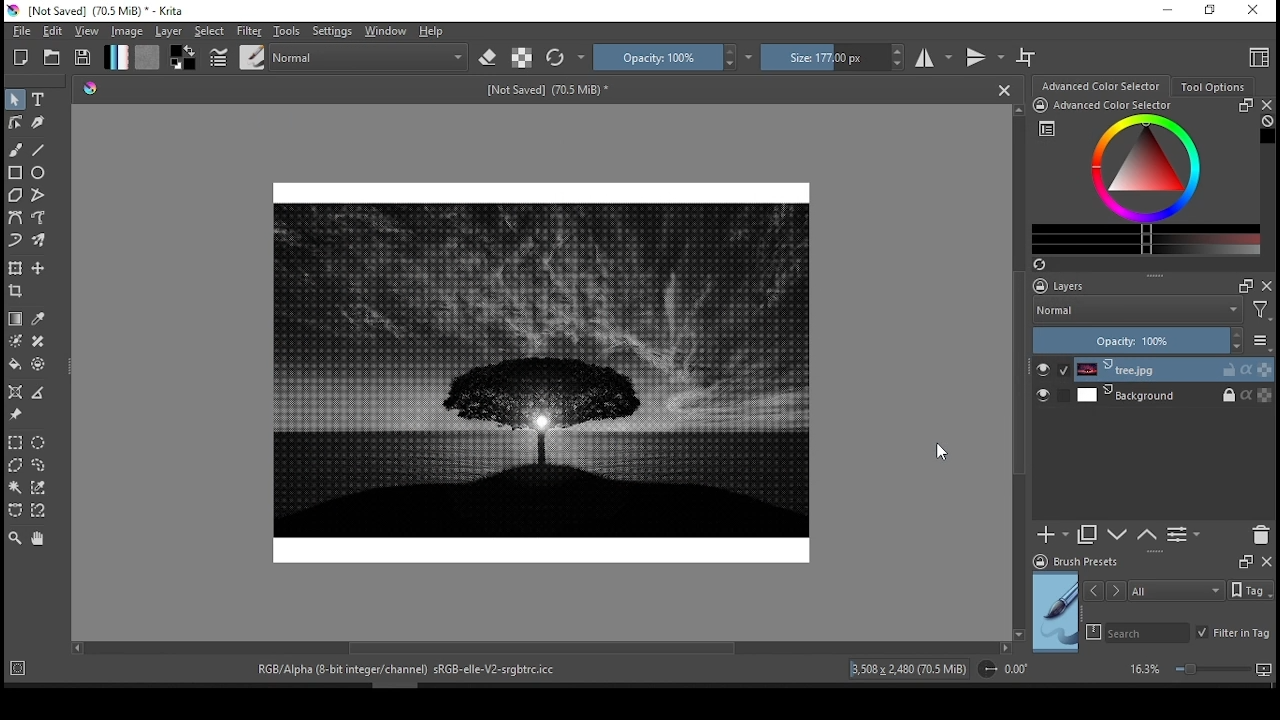 This screenshot has height=720, width=1280. Describe the element at coordinates (14, 122) in the screenshot. I see `edit shapes tool` at that location.